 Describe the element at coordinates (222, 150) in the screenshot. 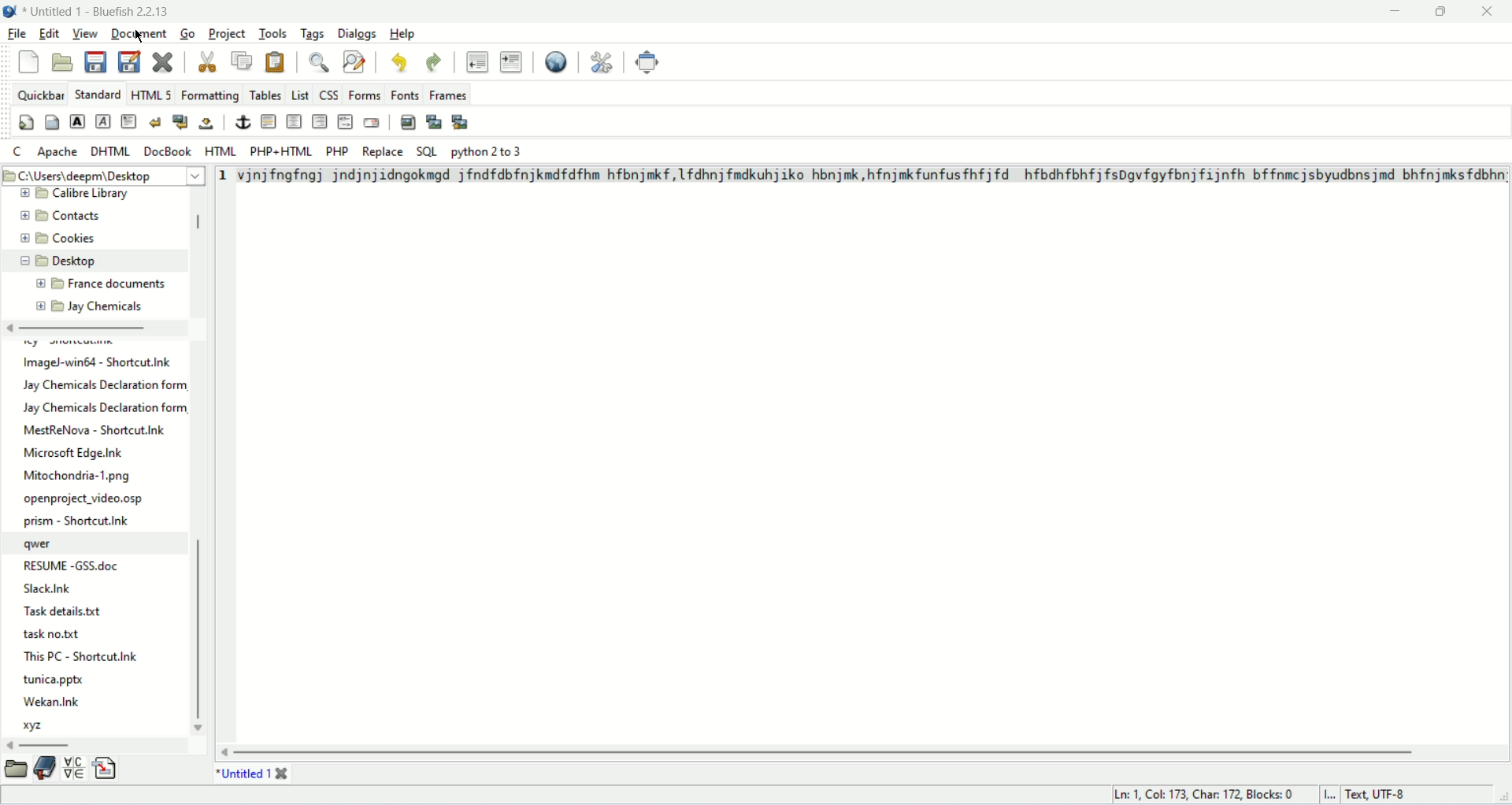

I see `HTML` at that location.